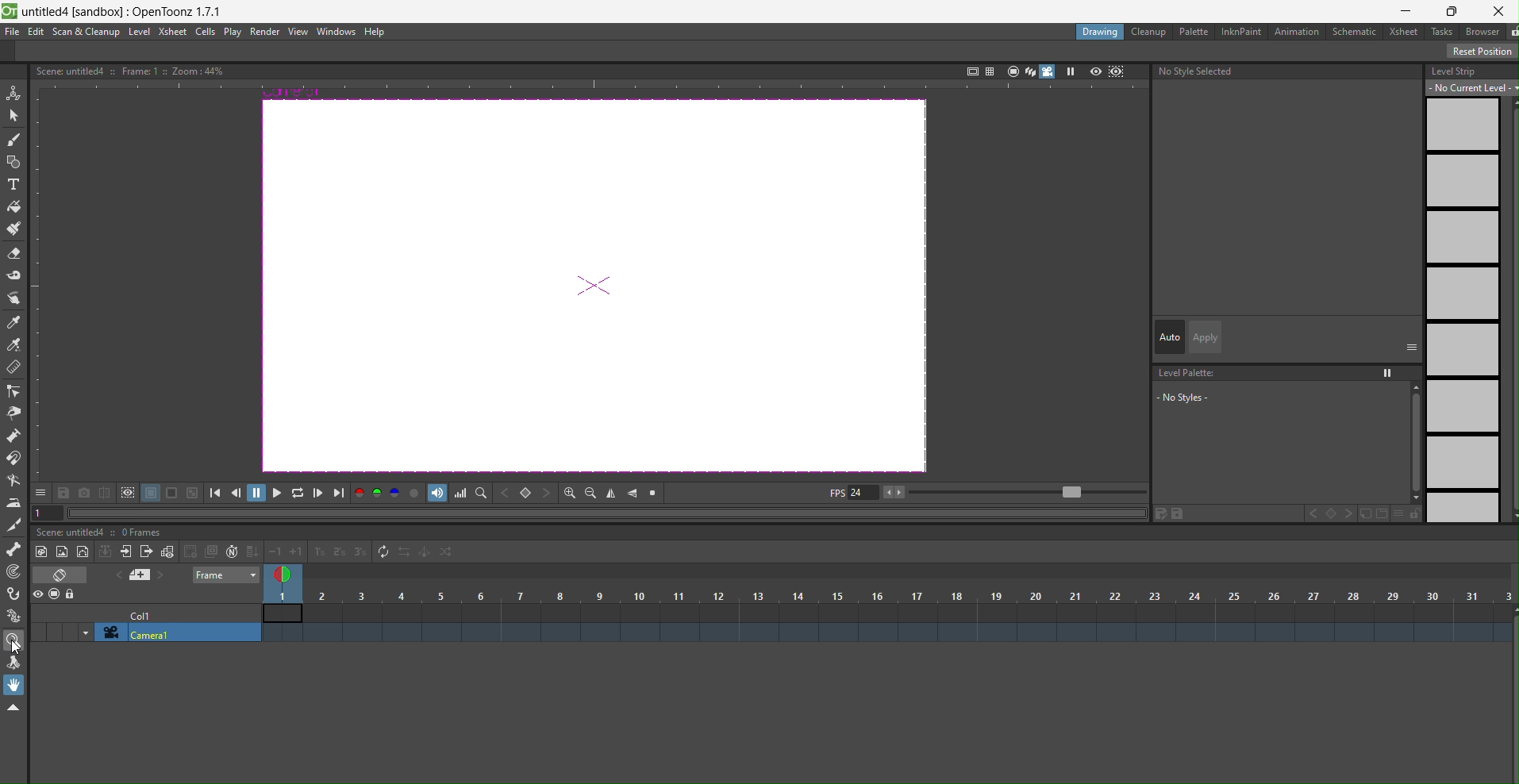 The width and height of the screenshot is (1519, 784). Describe the element at coordinates (595, 286) in the screenshot. I see `image` at that location.